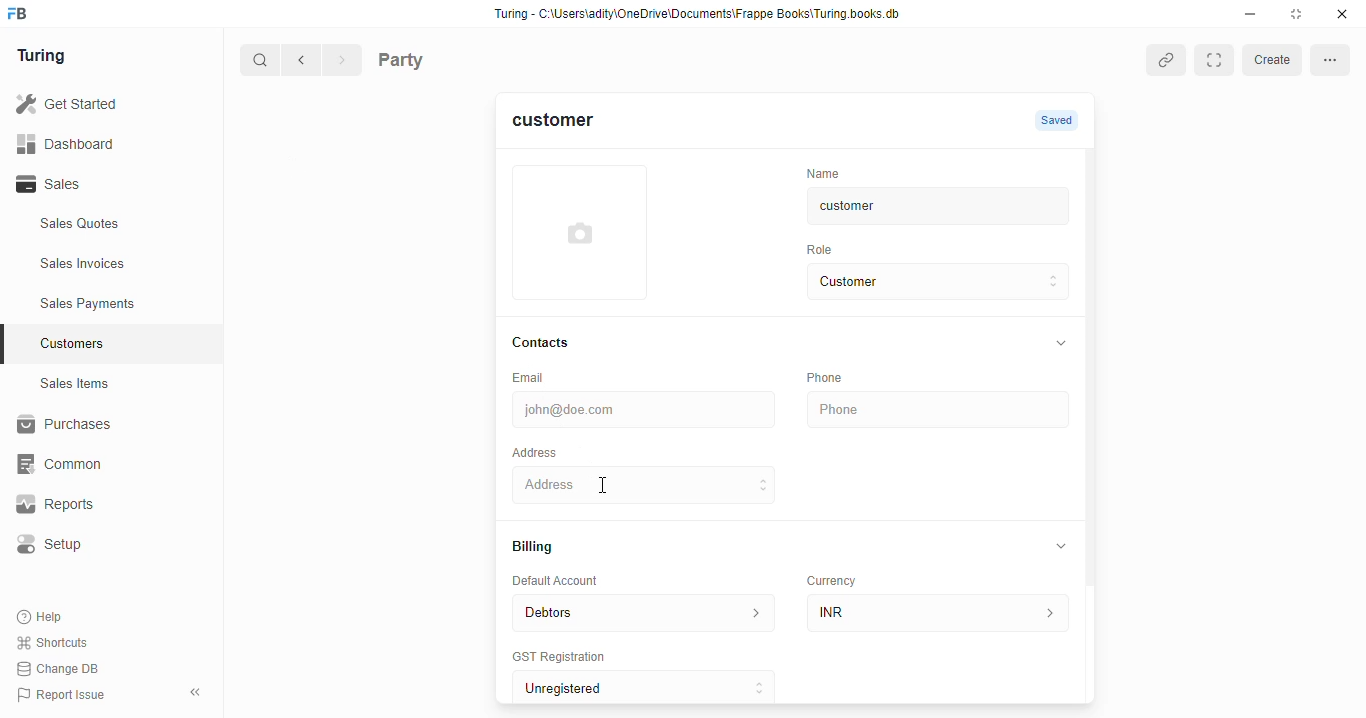 The height and width of the screenshot is (718, 1366). Describe the element at coordinates (822, 250) in the screenshot. I see `Role` at that location.